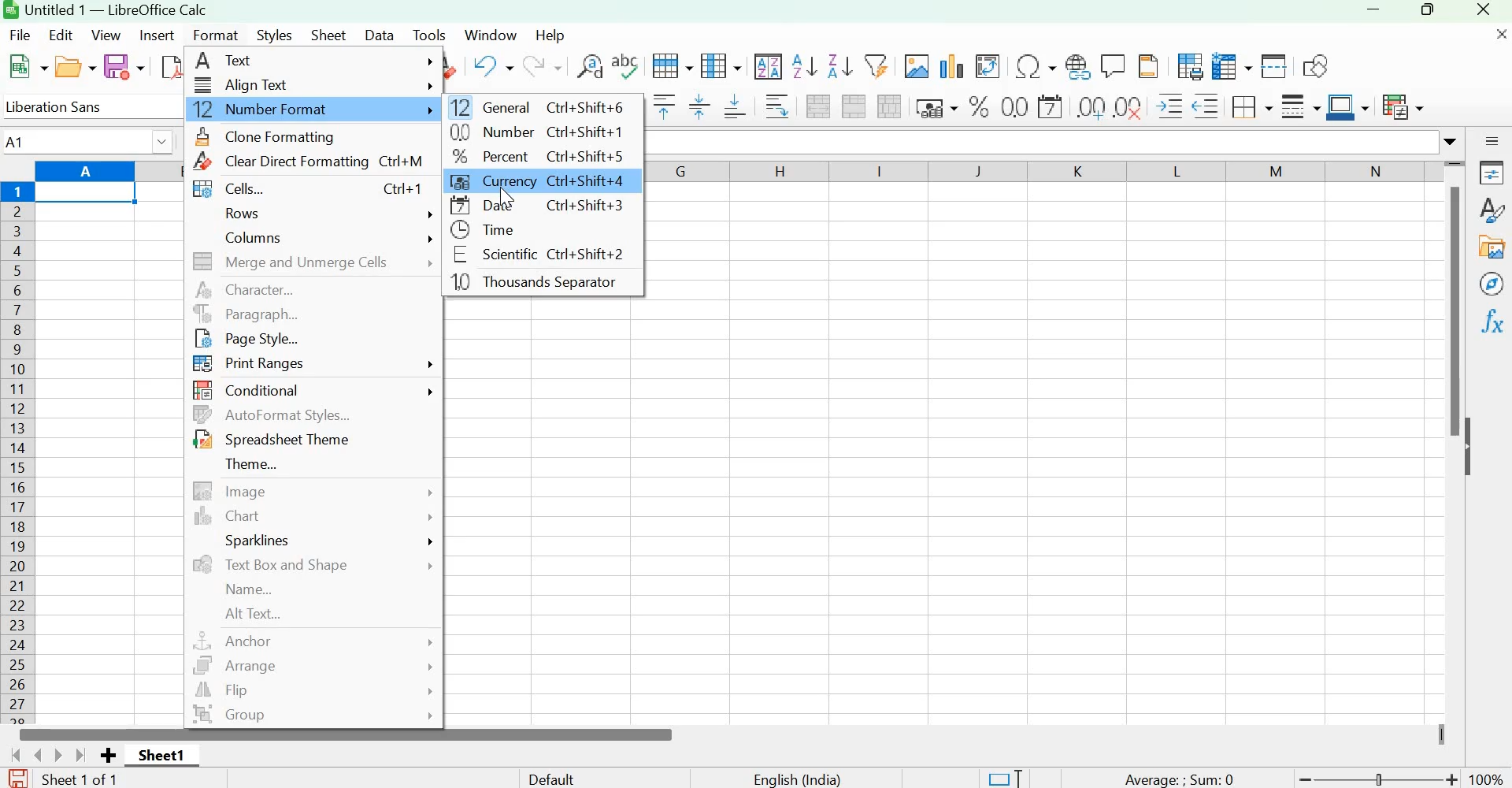 The image size is (1512, 788). What do you see at coordinates (258, 590) in the screenshot?
I see `Name` at bounding box center [258, 590].